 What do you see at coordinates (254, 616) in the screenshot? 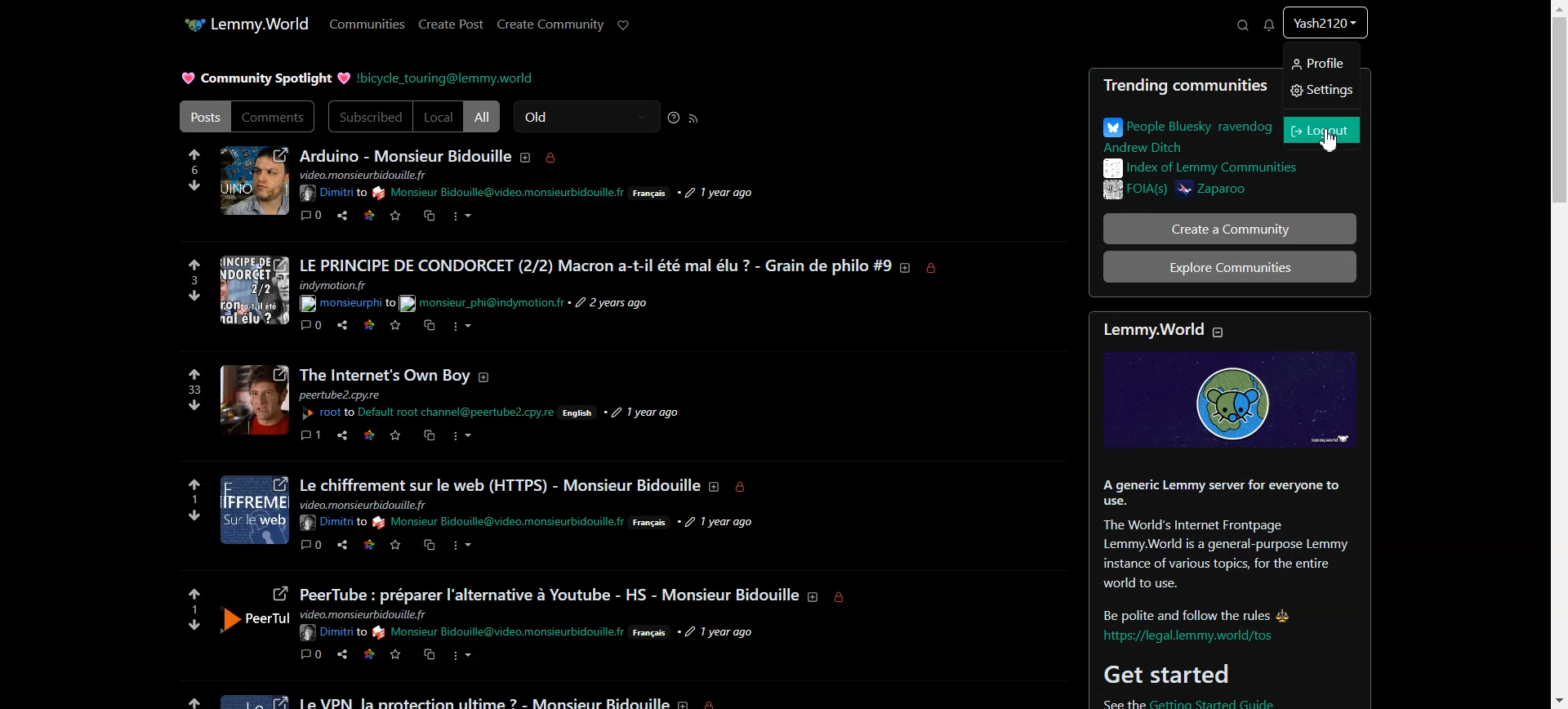
I see `profile image` at bounding box center [254, 616].